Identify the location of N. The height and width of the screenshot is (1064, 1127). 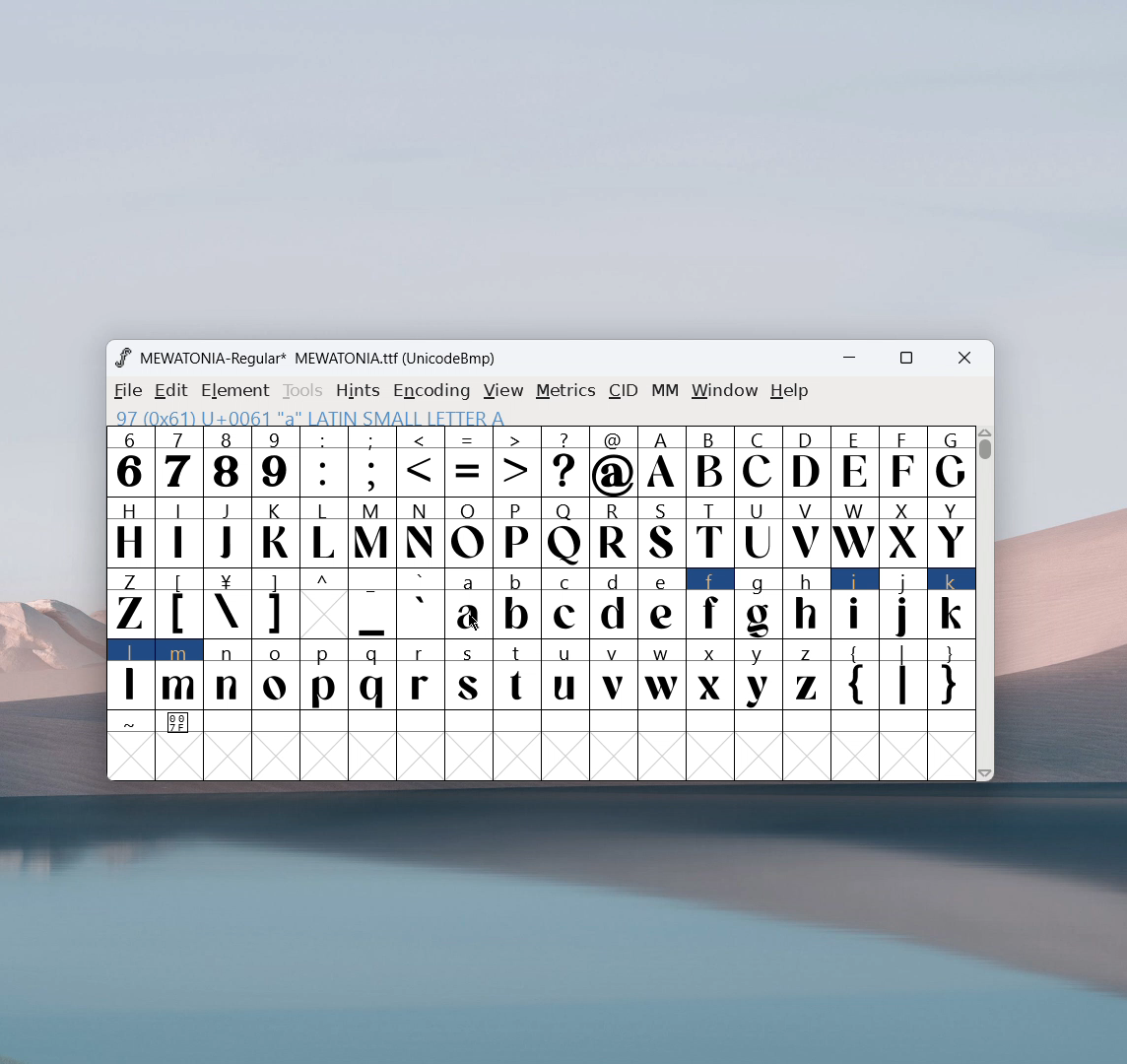
(421, 532).